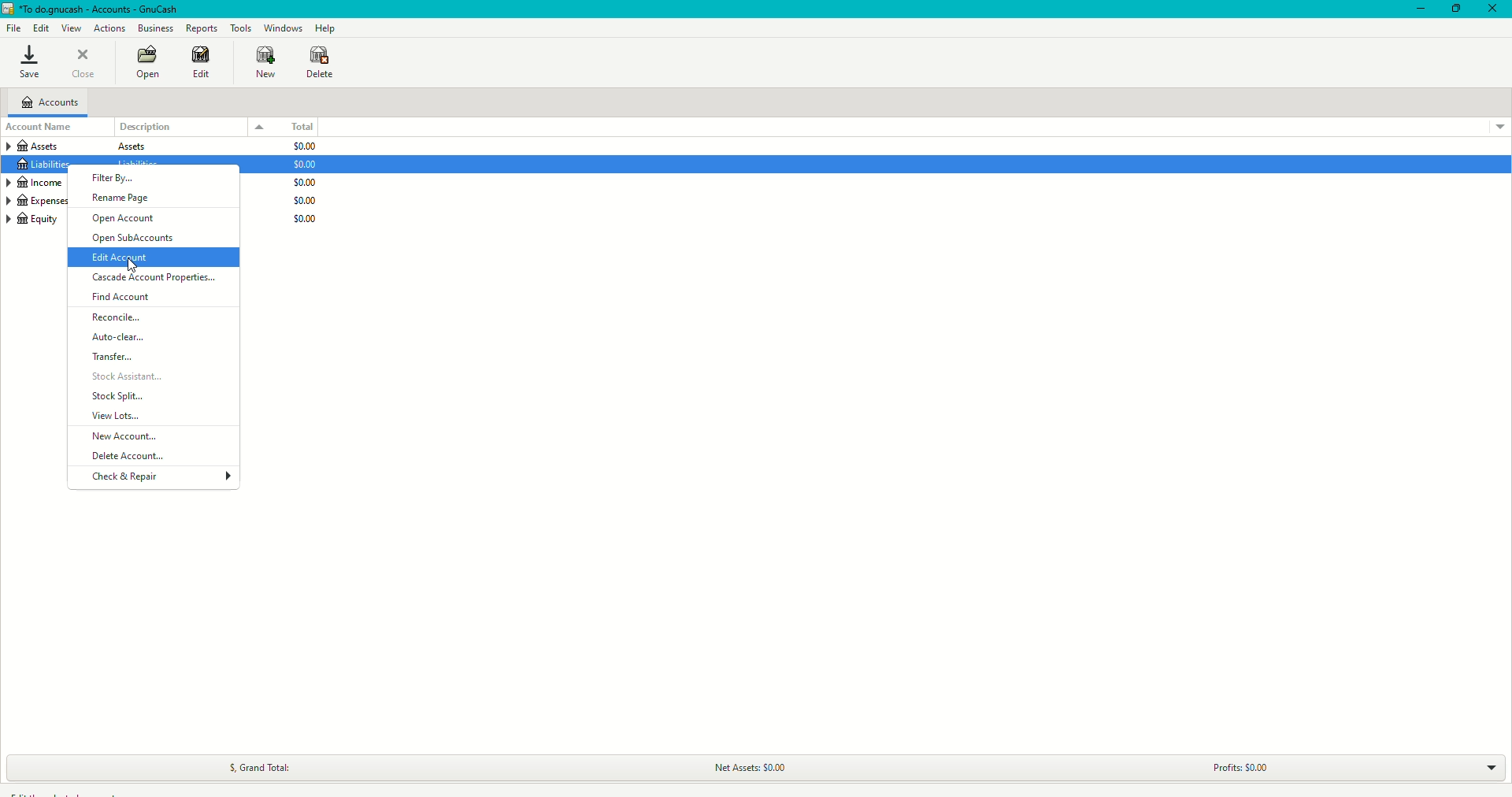 This screenshot has width=1512, height=797. I want to click on Equity, so click(34, 219).